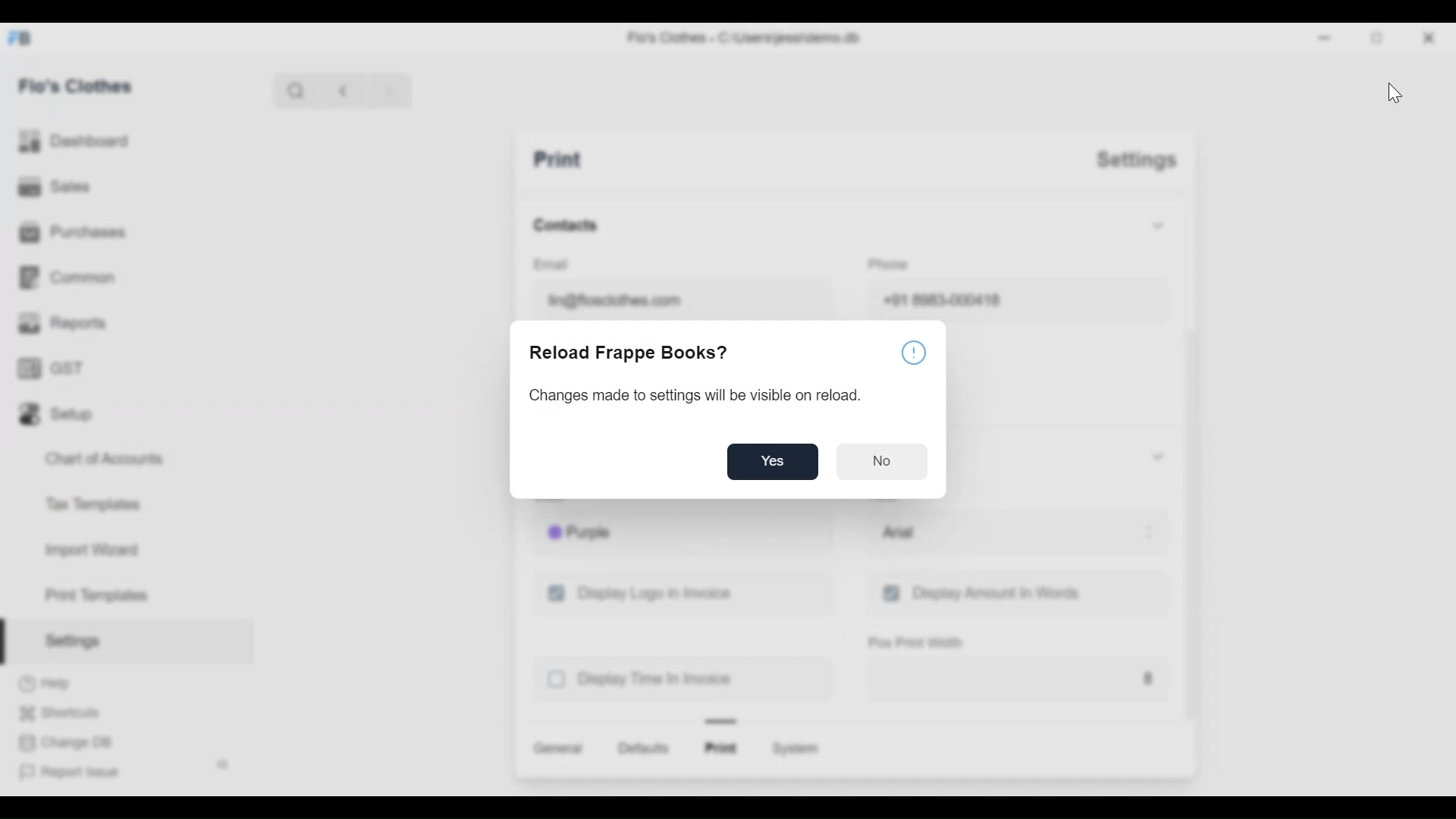 This screenshot has width=1456, height=819. What do you see at coordinates (682, 397) in the screenshot?
I see `Changes made to settings will be visible on reload.` at bounding box center [682, 397].